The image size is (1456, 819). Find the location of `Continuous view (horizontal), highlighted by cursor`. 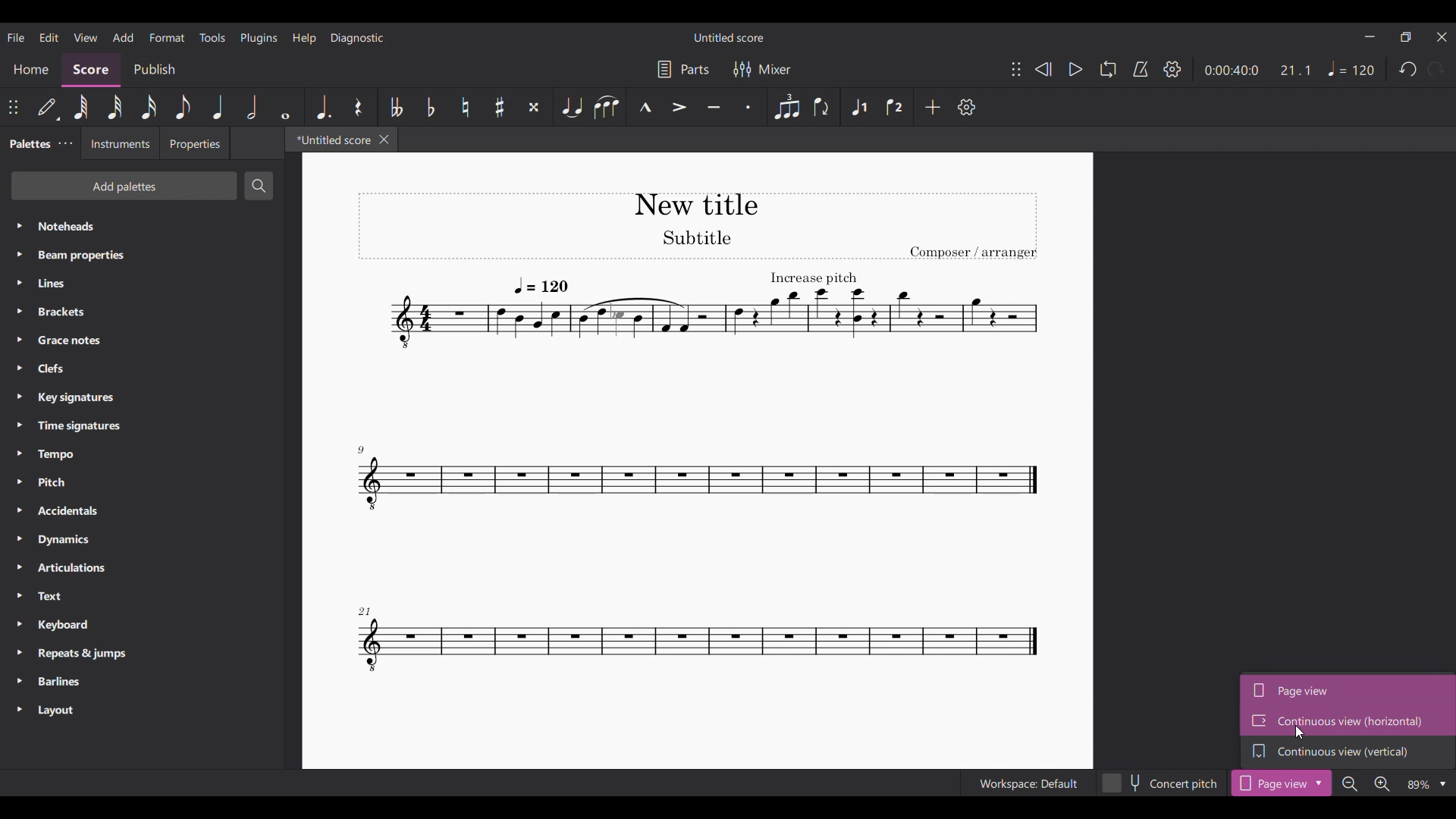

Continuous view (horizontal), highlighted by cursor is located at coordinates (1348, 719).